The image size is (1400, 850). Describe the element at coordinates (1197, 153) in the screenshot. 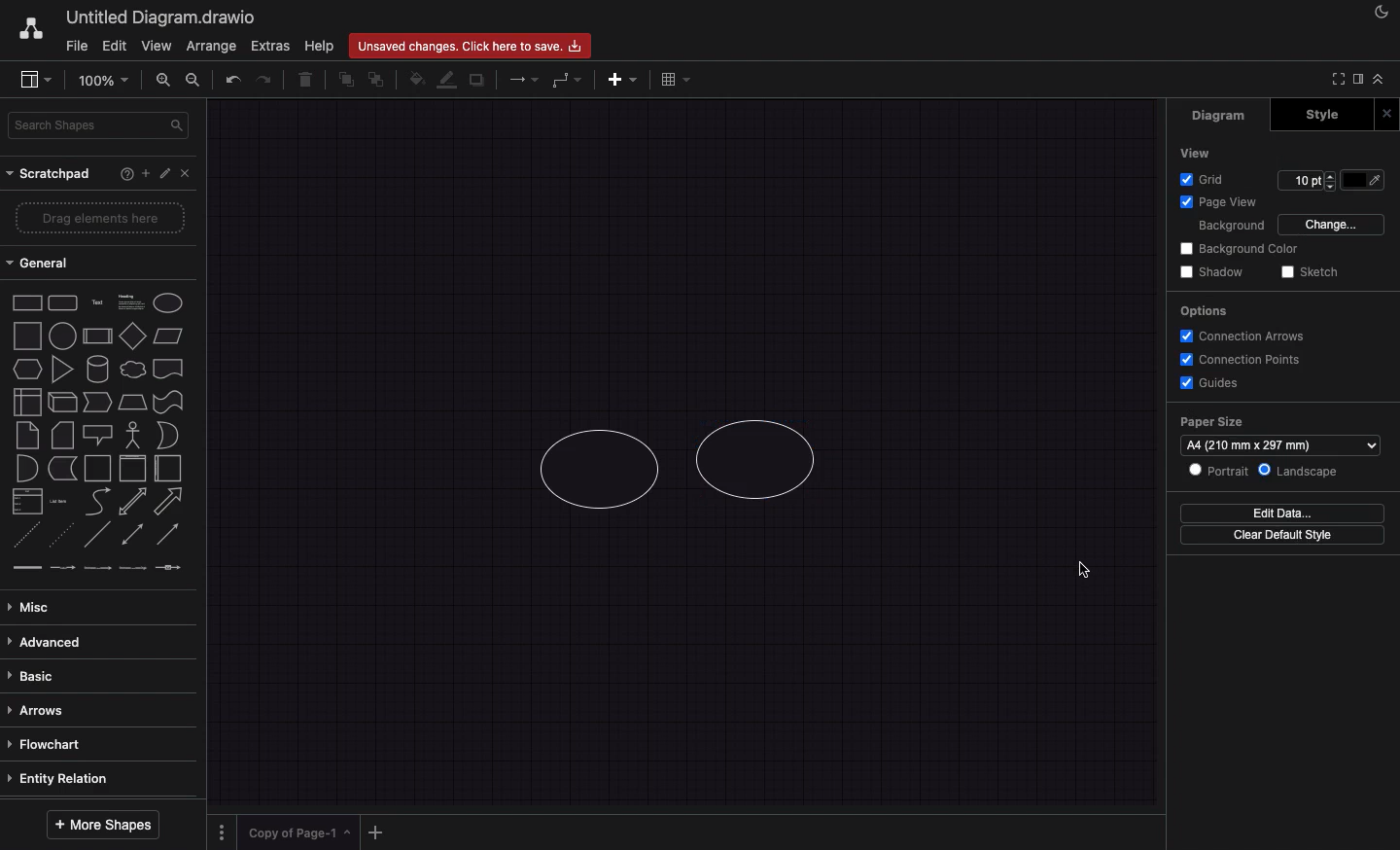

I see `view` at that location.